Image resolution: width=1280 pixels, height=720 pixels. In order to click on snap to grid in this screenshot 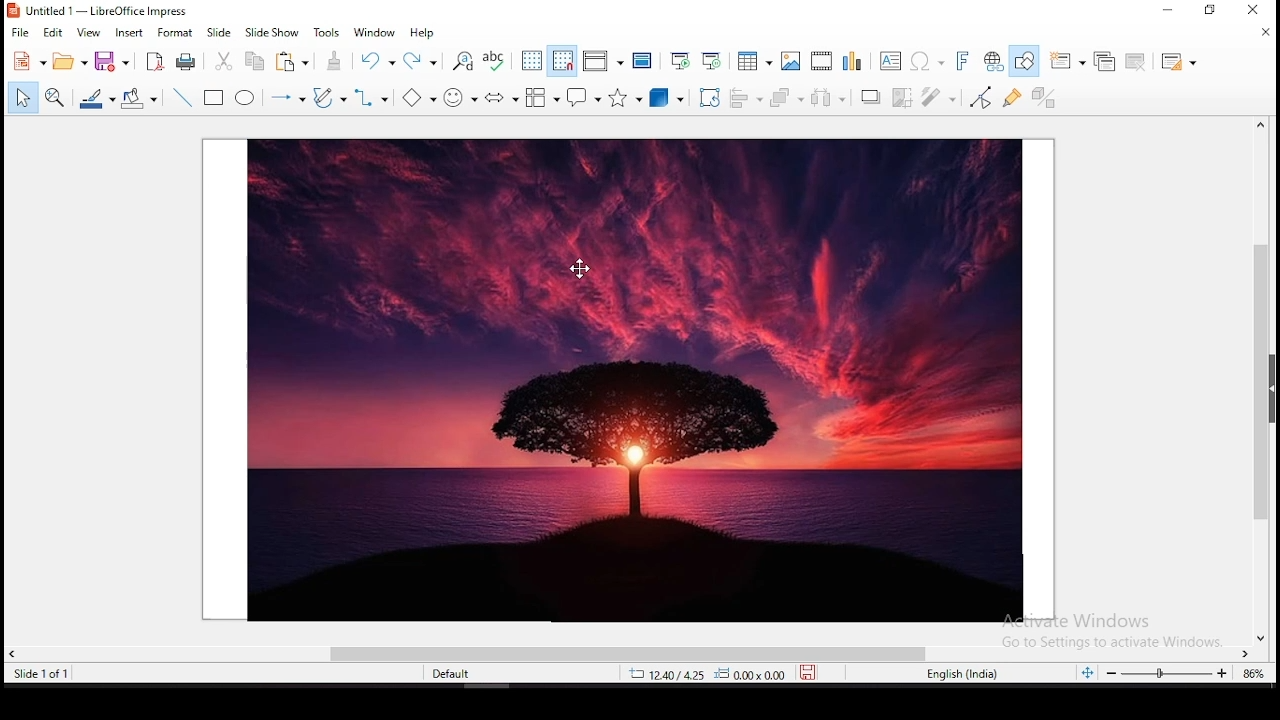, I will do `click(561, 62)`.